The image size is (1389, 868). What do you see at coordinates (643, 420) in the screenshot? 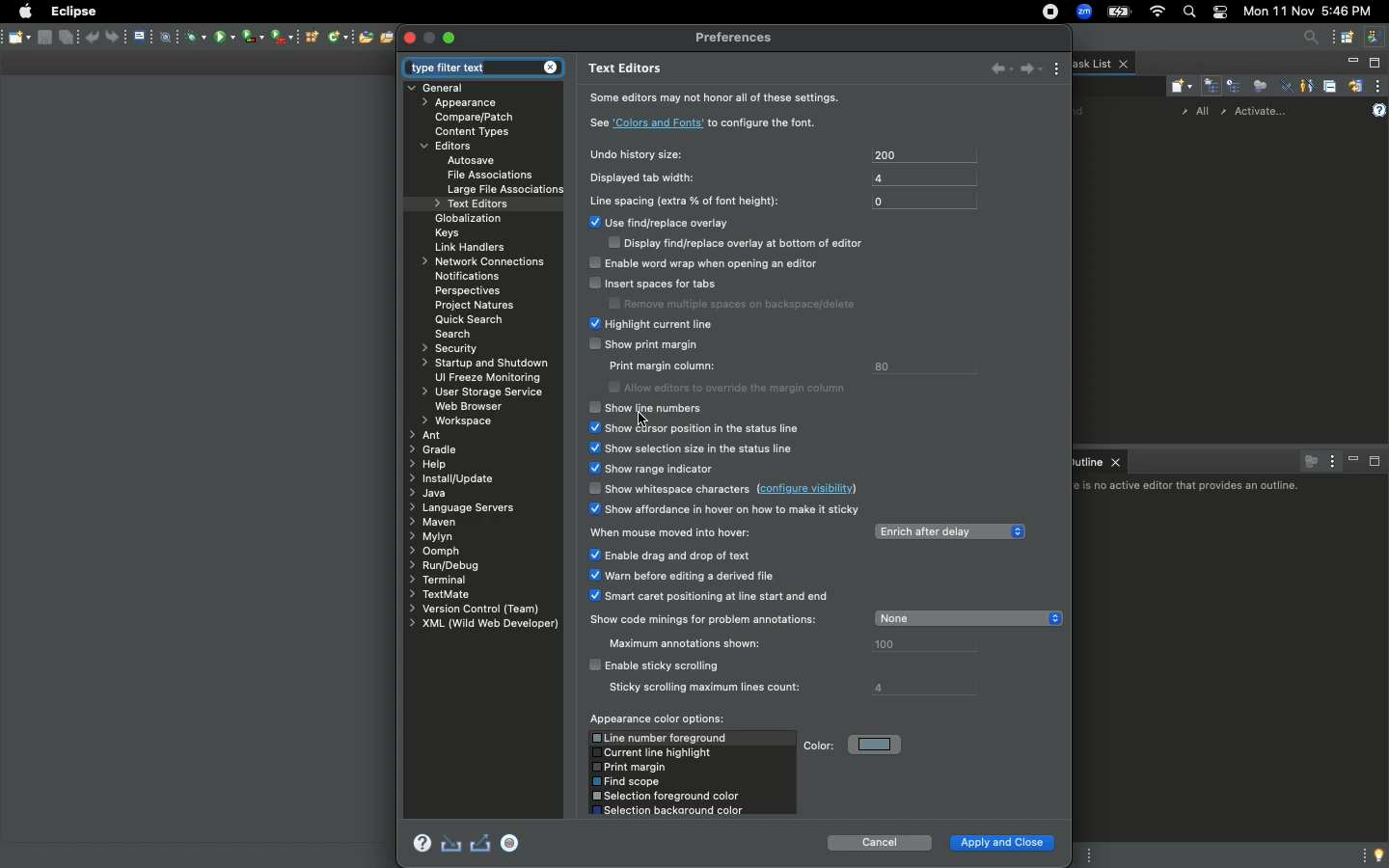
I see `Cursor` at bounding box center [643, 420].